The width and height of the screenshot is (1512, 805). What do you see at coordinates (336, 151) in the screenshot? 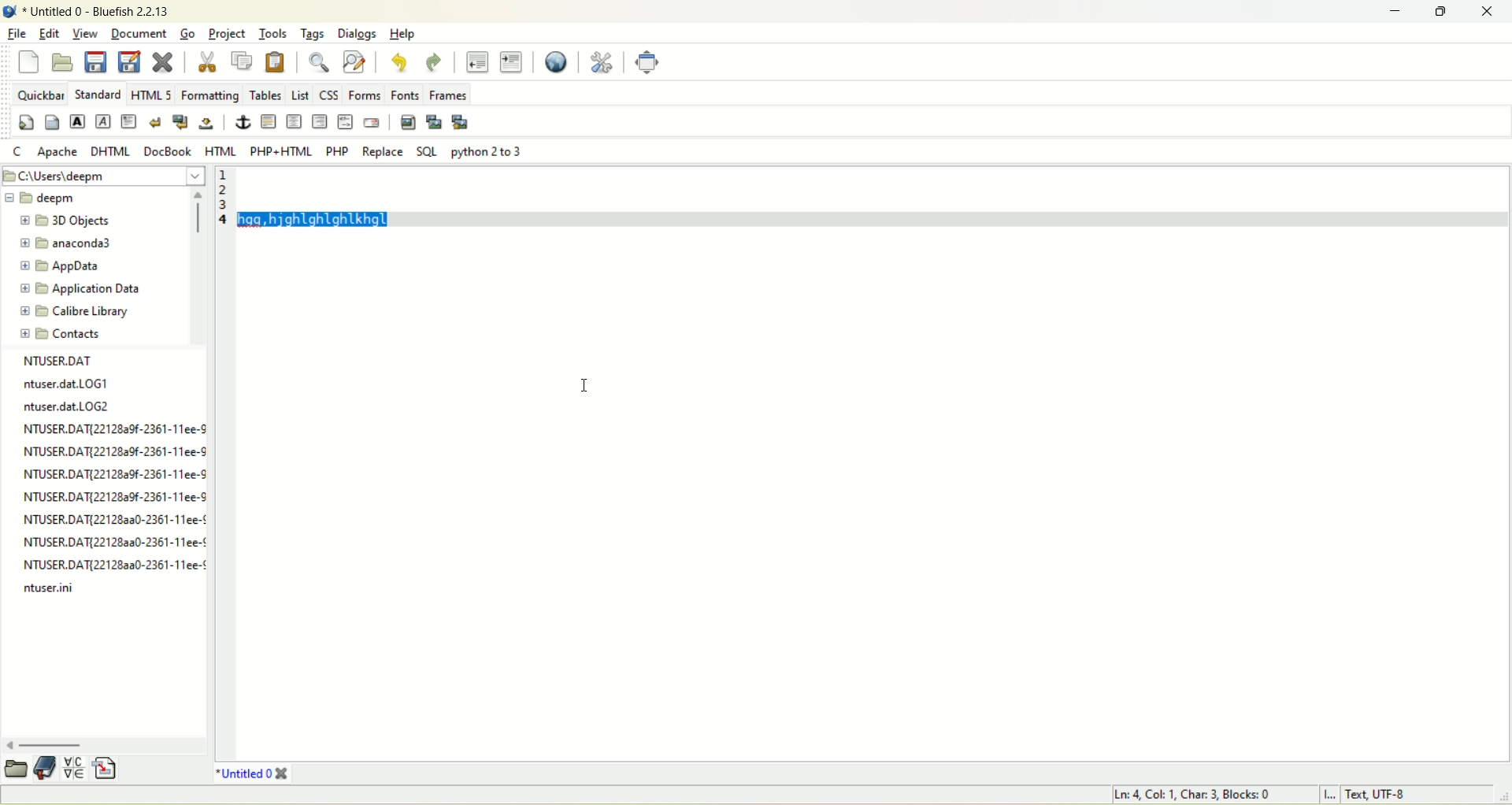
I see `PHP` at bounding box center [336, 151].